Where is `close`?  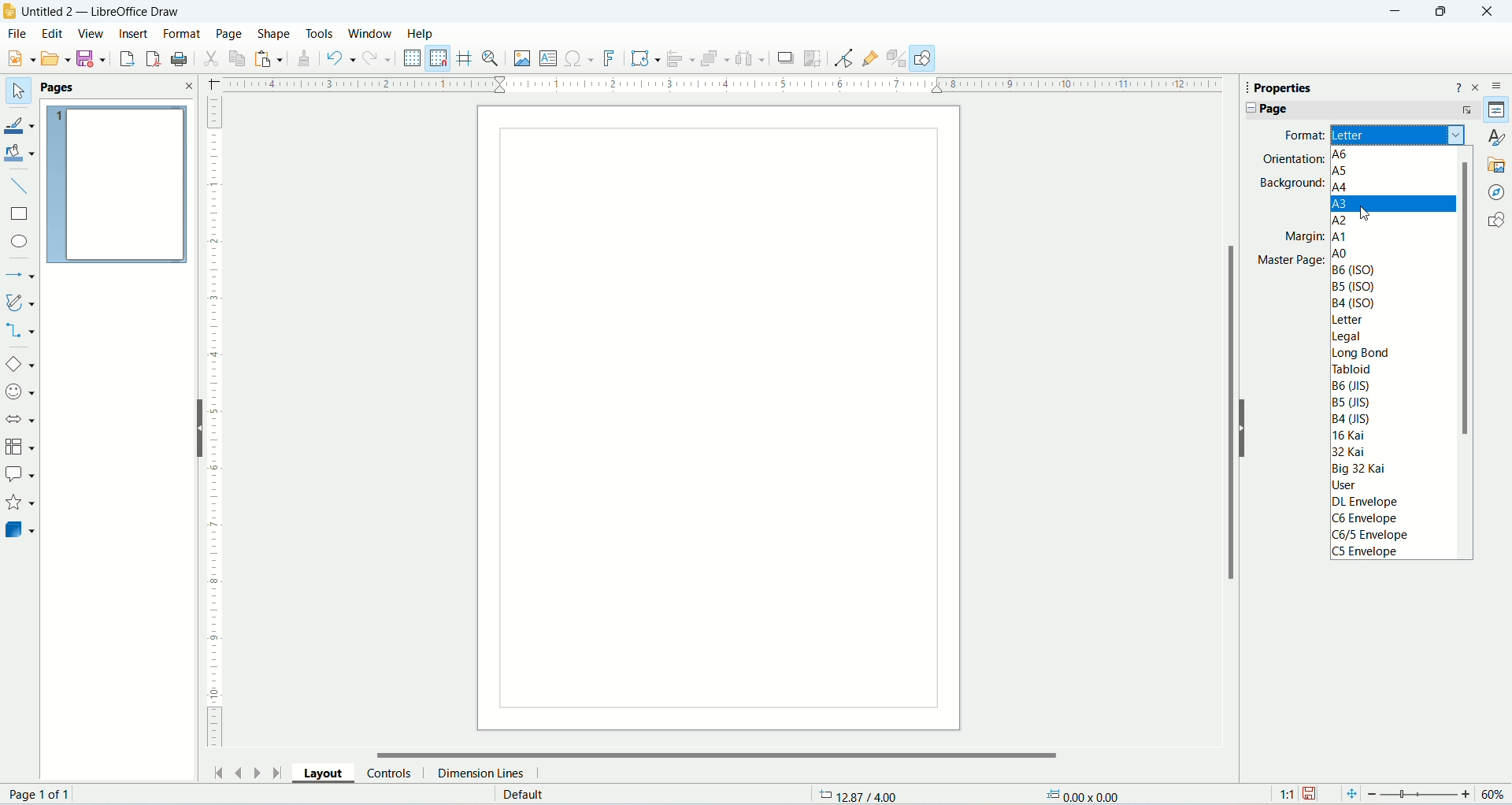
close is located at coordinates (190, 84).